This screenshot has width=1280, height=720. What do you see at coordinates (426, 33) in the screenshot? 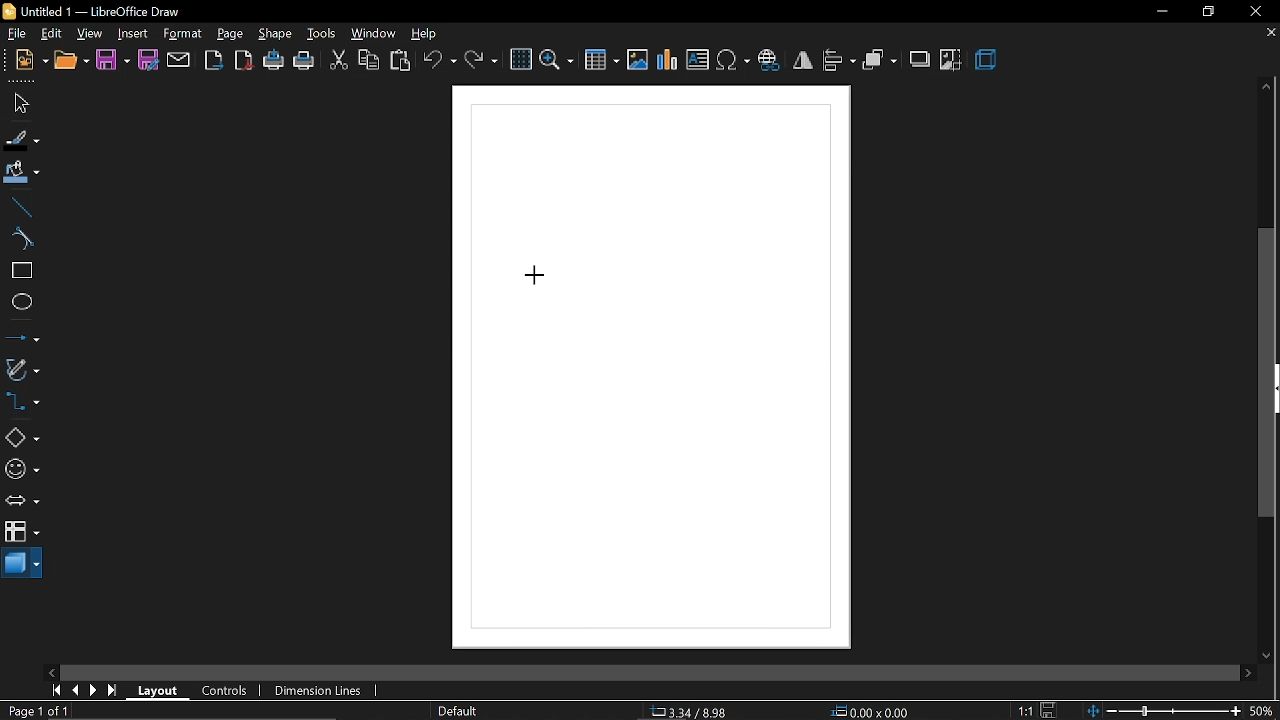
I see `help` at bounding box center [426, 33].